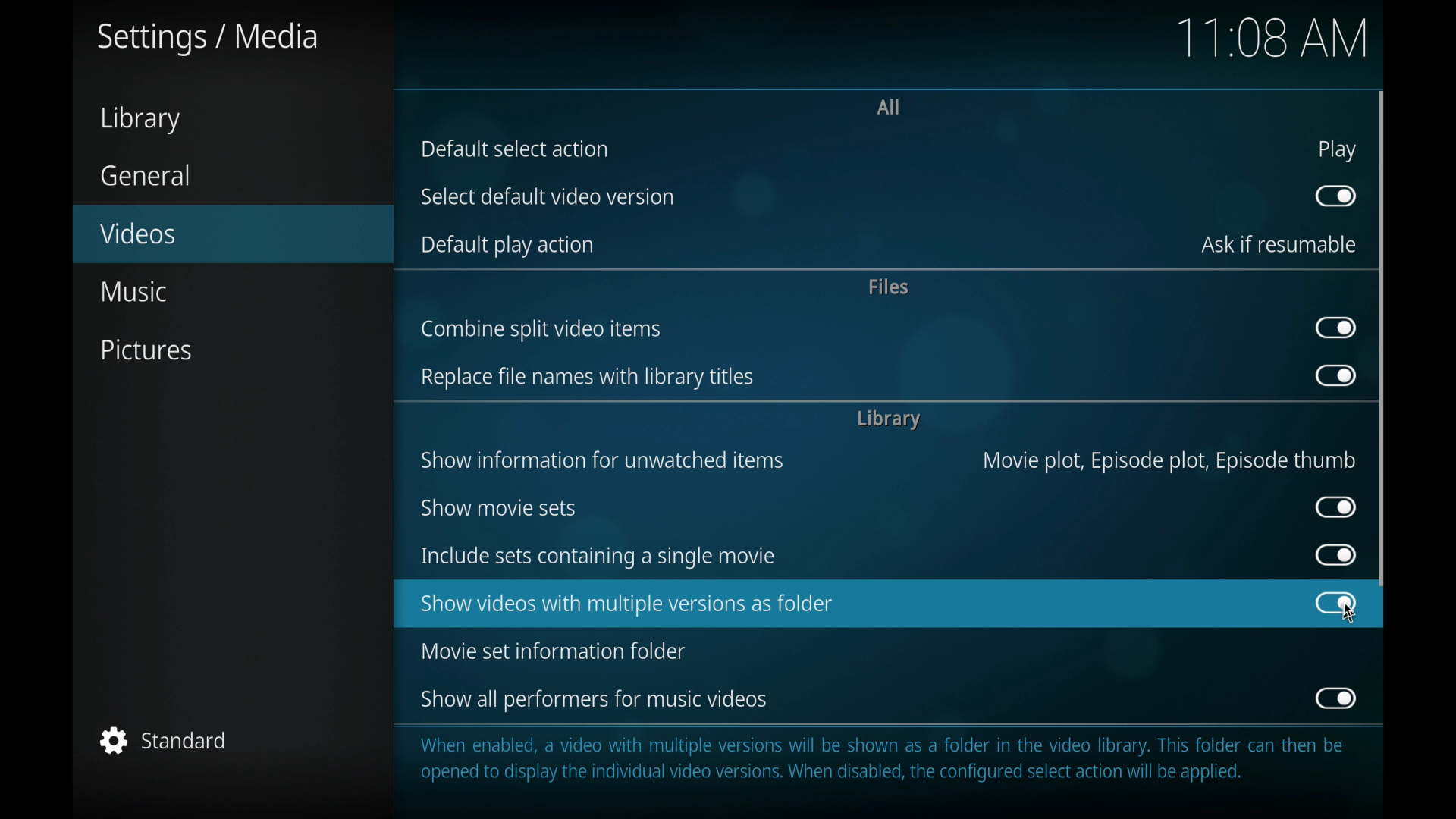 Image resolution: width=1456 pixels, height=819 pixels. Describe the element at coordinates (1336, 375) in the screenshot. I see `toggle button` at that location.